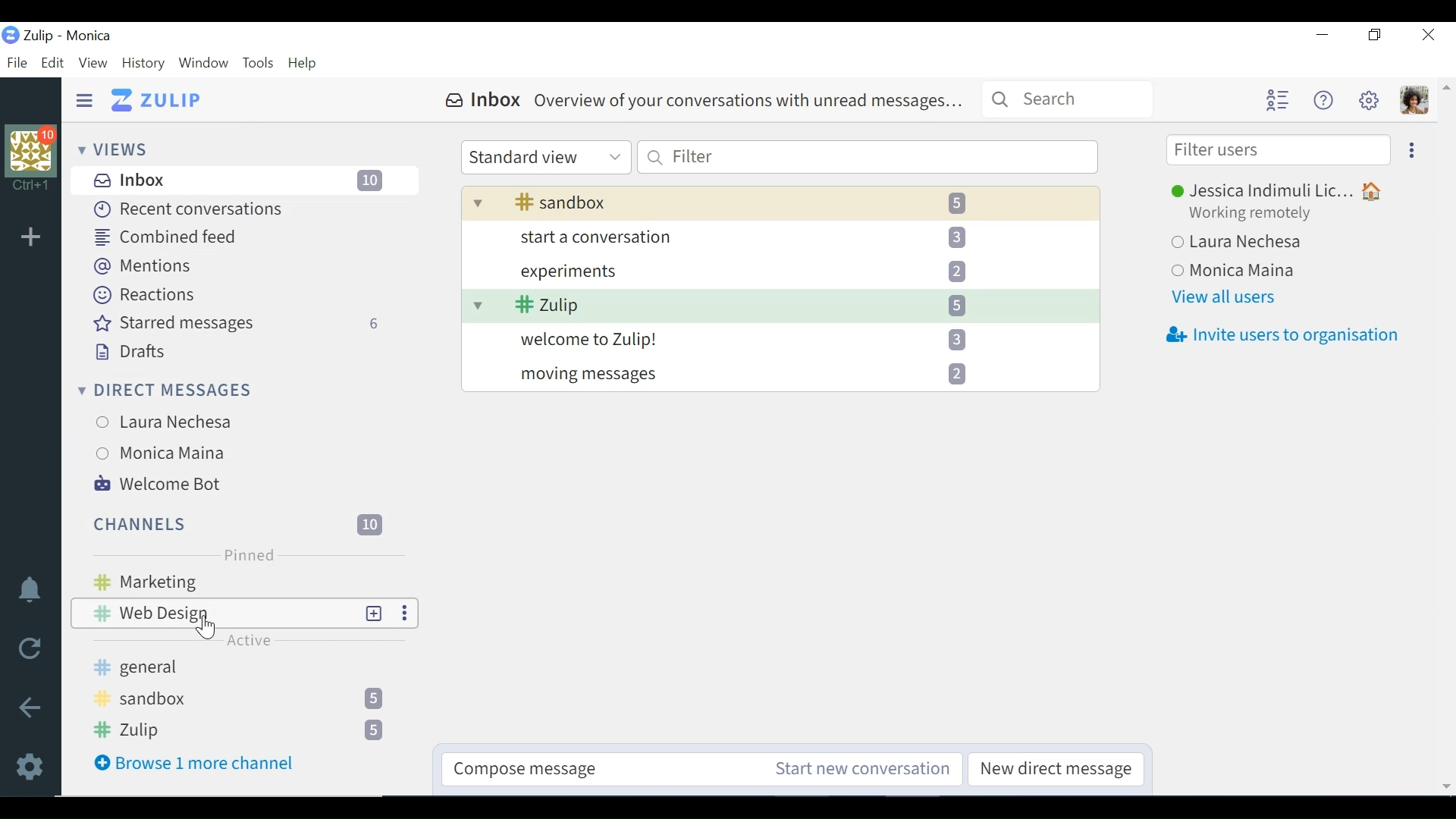  I want to click on Hide user list, so click(1277, 101).